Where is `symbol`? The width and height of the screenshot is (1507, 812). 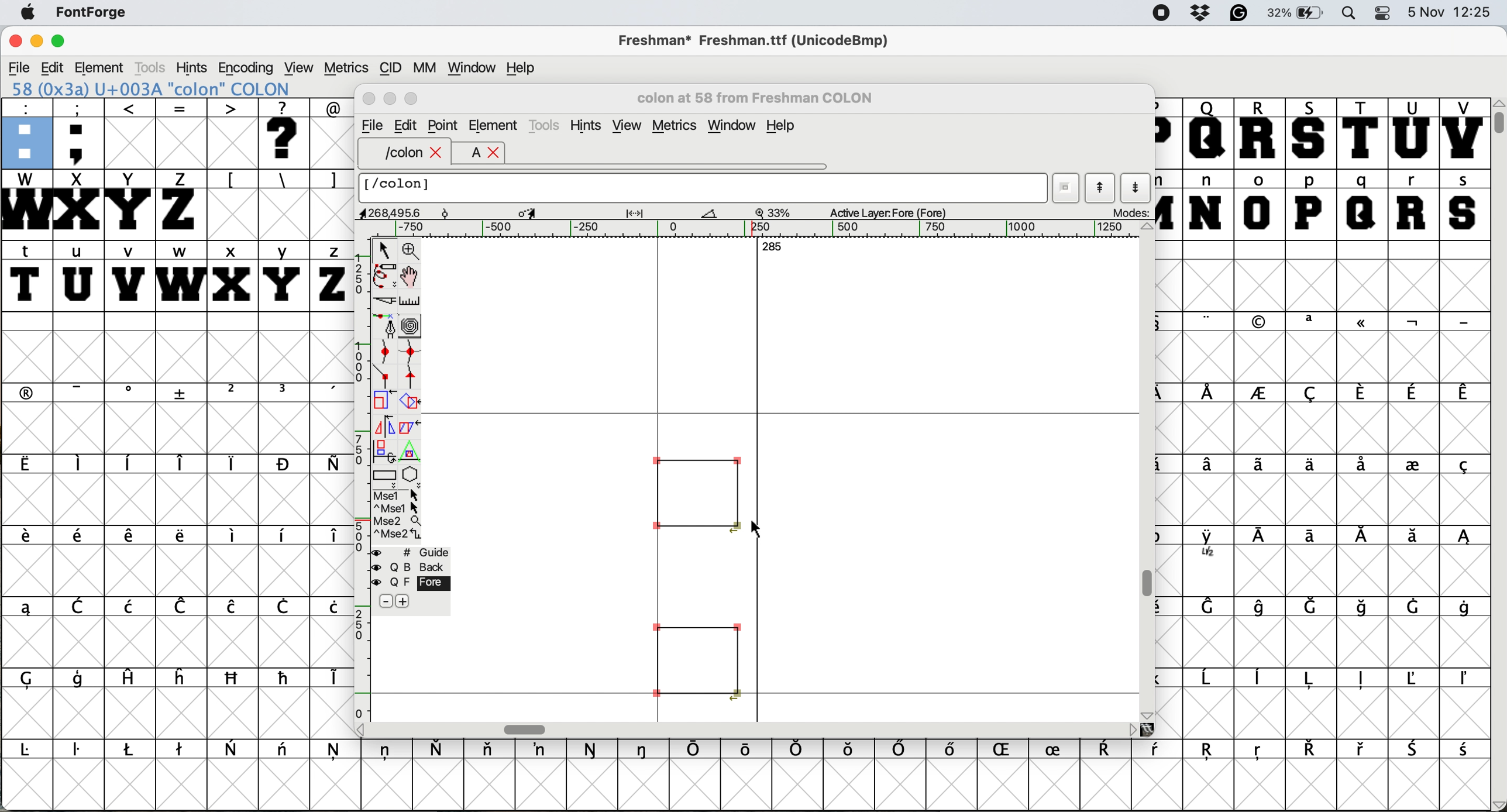
symbol is located at coordinates (287, 536).